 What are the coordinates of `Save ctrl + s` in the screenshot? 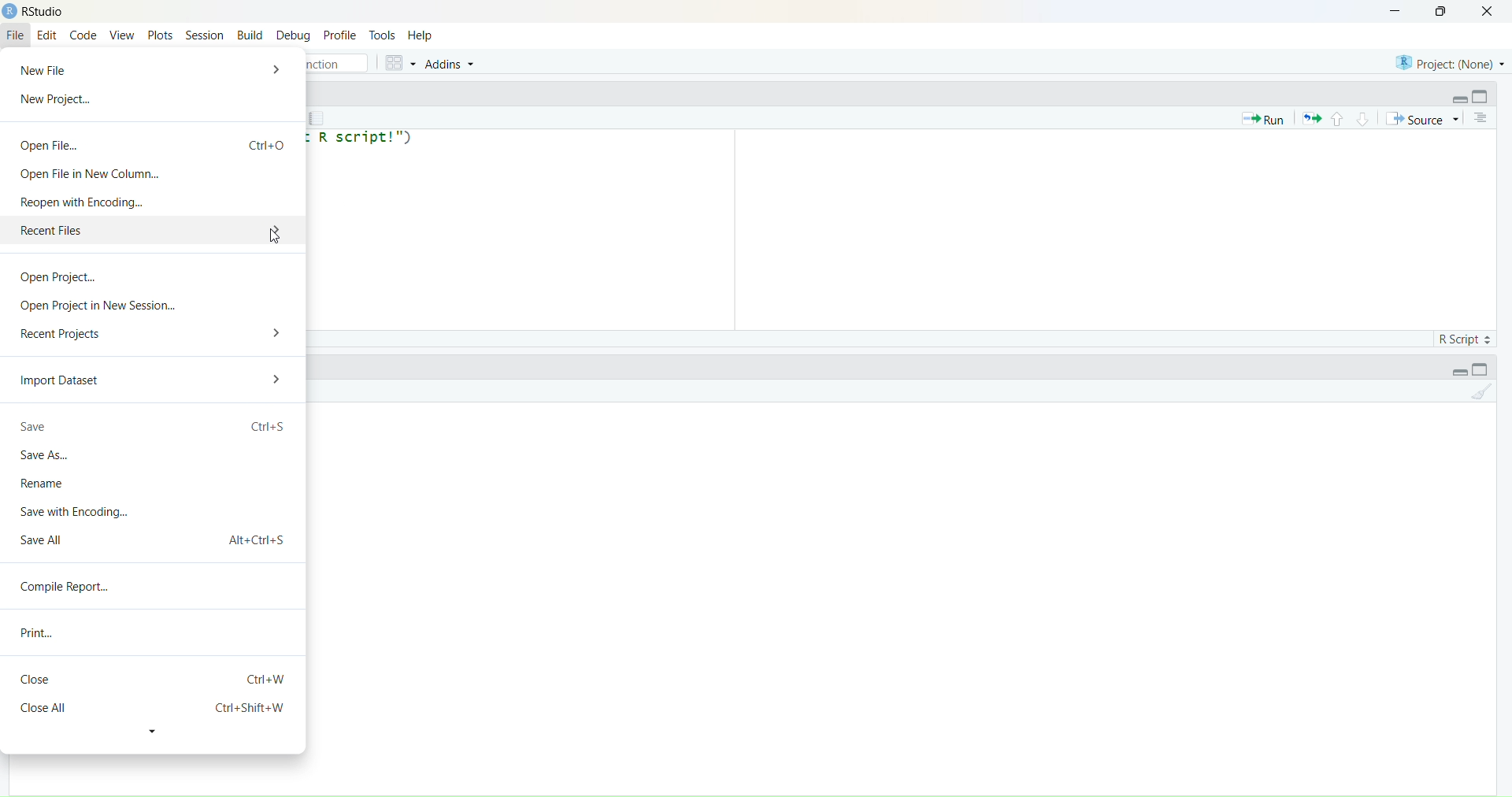 It's located at (154, 428).